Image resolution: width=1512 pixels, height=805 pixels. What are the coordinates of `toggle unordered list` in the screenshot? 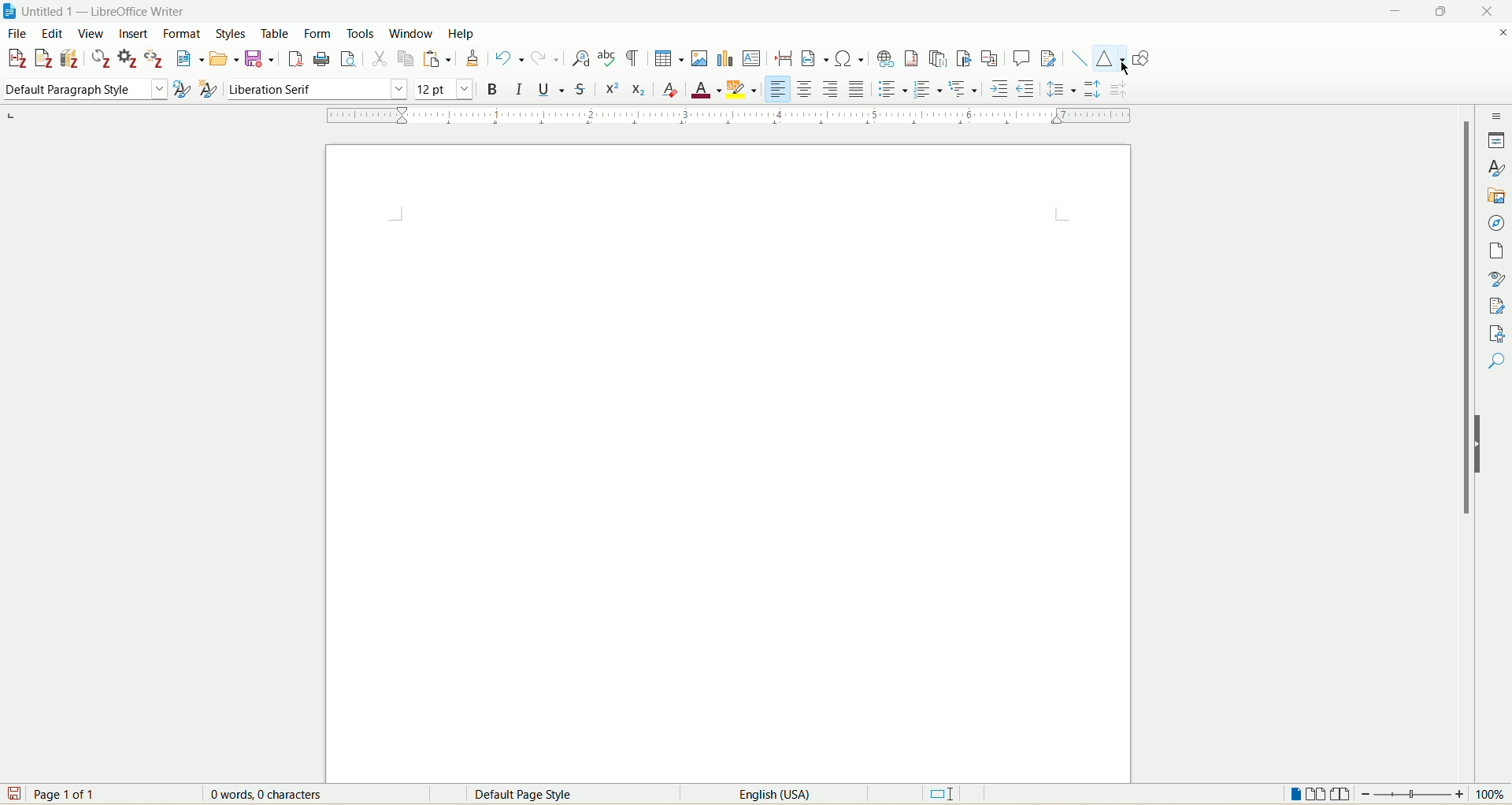 It's located at (891, 88).